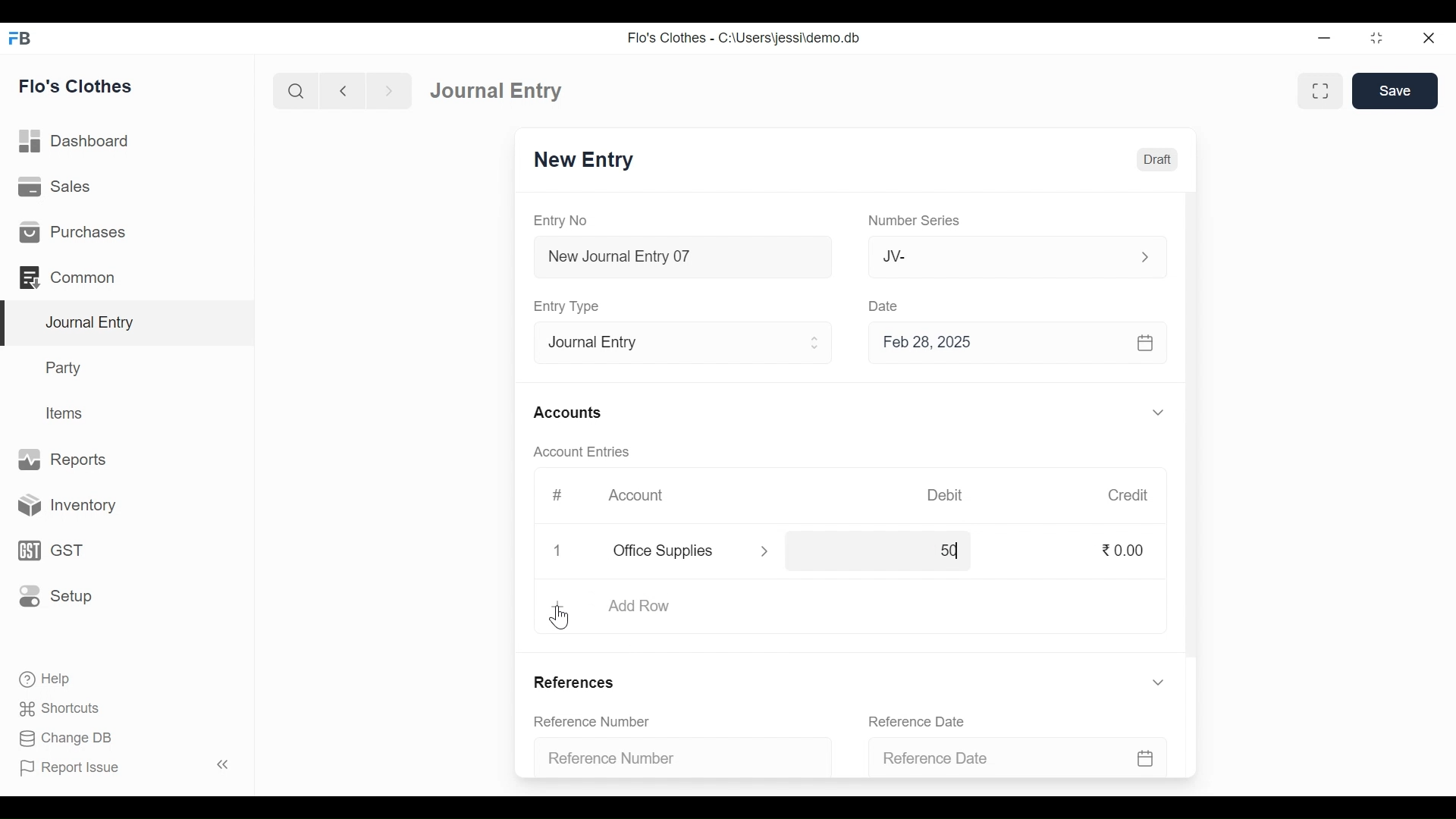 This screenshot has height=819, width=1456. Describe the element at coordinates (558, 553) in the screenshot. I see `Close` at that location.